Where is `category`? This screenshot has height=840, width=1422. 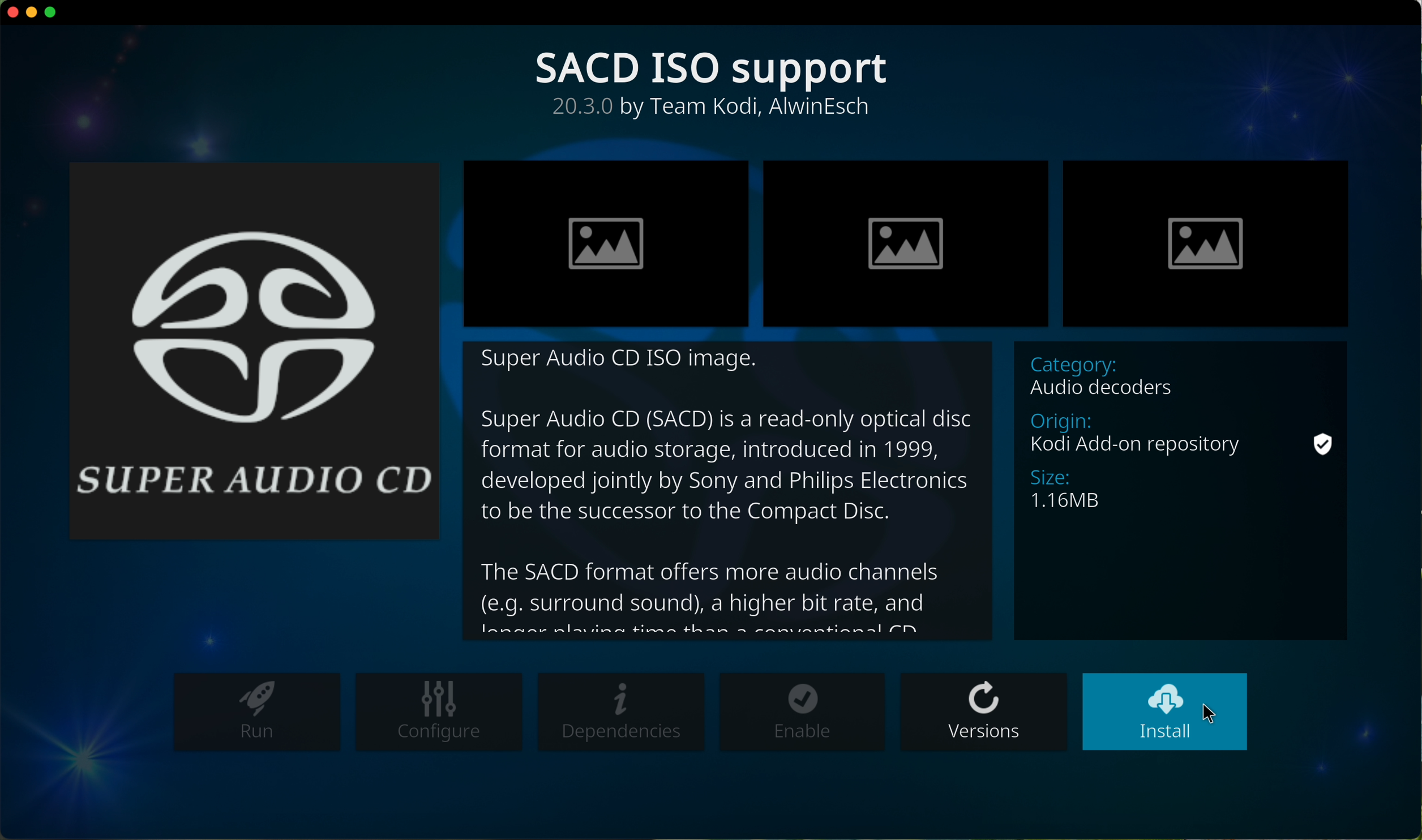
category is located at coordinates (1182, 491).